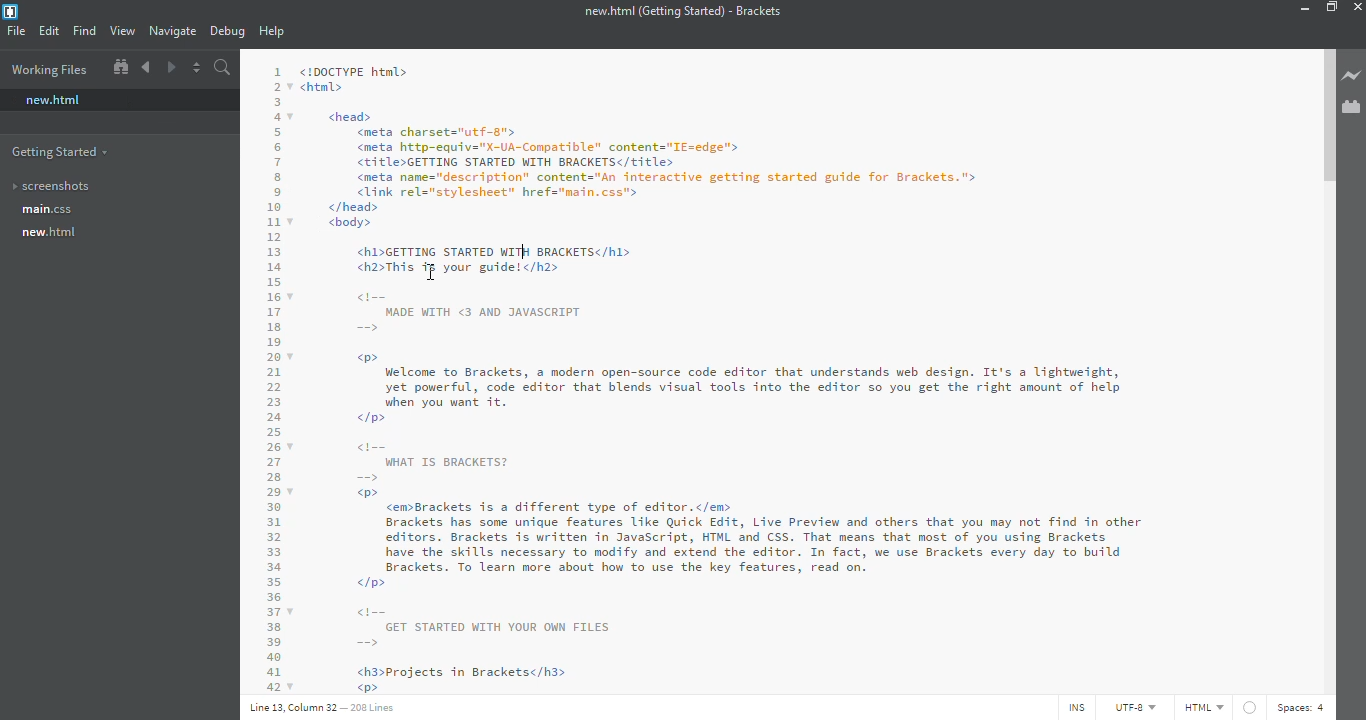 This screenshot has height=720, width=1366. Describe the element at coordinates (121, 66) in the screenshot. I see `show in file tree` at that location.